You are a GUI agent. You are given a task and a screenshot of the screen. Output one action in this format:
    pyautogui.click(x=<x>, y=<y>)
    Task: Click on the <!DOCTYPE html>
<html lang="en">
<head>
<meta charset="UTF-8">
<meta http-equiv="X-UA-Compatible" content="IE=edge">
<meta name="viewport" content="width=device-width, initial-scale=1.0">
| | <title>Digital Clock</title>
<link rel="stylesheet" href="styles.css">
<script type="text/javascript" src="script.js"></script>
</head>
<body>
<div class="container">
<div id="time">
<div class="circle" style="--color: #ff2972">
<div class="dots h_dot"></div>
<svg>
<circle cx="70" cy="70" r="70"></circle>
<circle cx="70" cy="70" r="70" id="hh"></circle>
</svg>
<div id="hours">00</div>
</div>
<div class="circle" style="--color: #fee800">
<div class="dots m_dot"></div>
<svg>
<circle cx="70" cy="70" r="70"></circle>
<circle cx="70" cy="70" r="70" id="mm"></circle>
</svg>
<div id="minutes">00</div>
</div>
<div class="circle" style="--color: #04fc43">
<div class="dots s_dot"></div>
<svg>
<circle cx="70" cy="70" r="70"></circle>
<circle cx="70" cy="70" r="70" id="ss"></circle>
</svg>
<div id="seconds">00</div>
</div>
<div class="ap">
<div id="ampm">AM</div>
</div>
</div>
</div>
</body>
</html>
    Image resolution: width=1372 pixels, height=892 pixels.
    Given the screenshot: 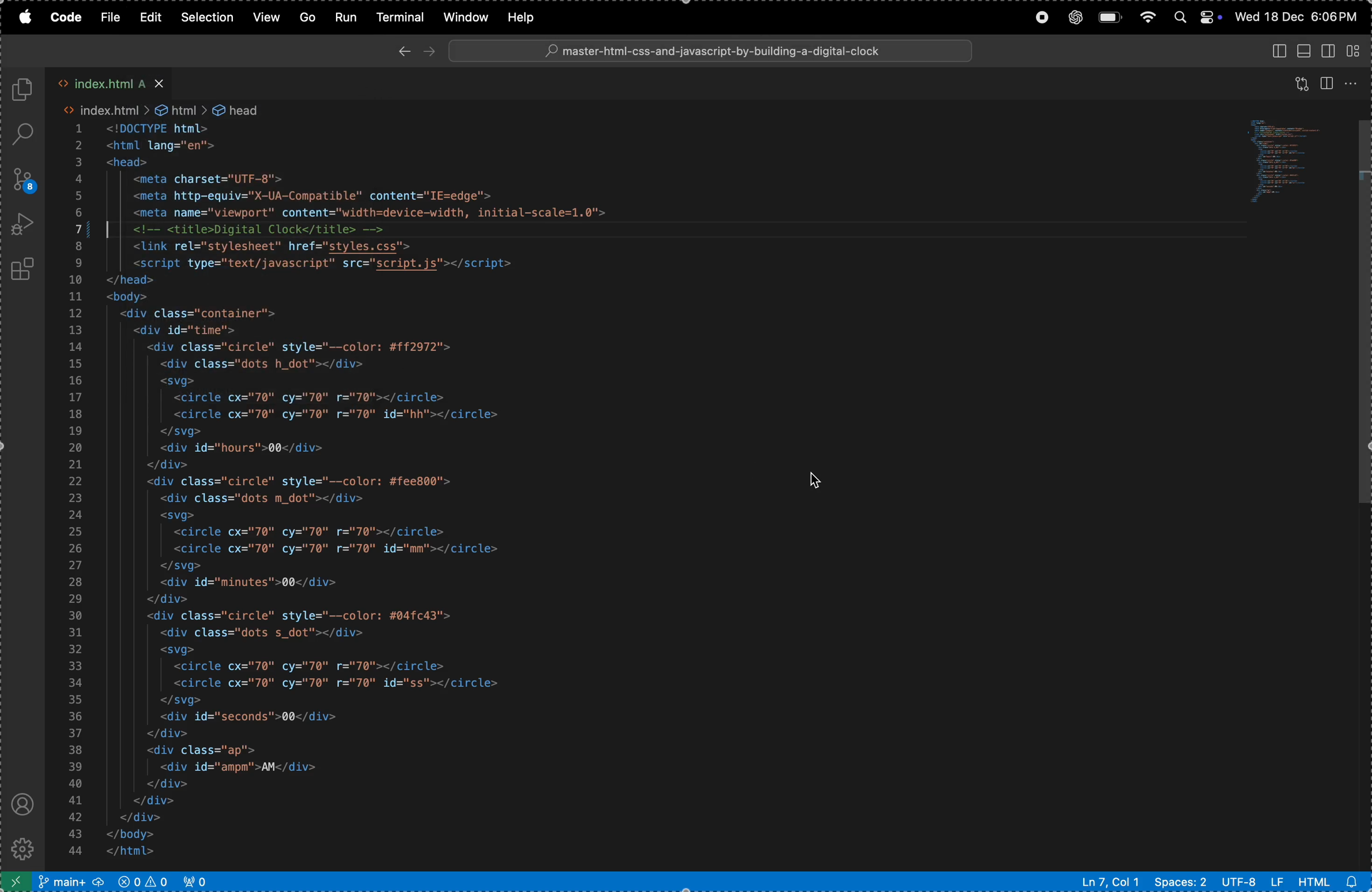 What is the action you would take?
    pyautogui.click(x=357, y=492)
    